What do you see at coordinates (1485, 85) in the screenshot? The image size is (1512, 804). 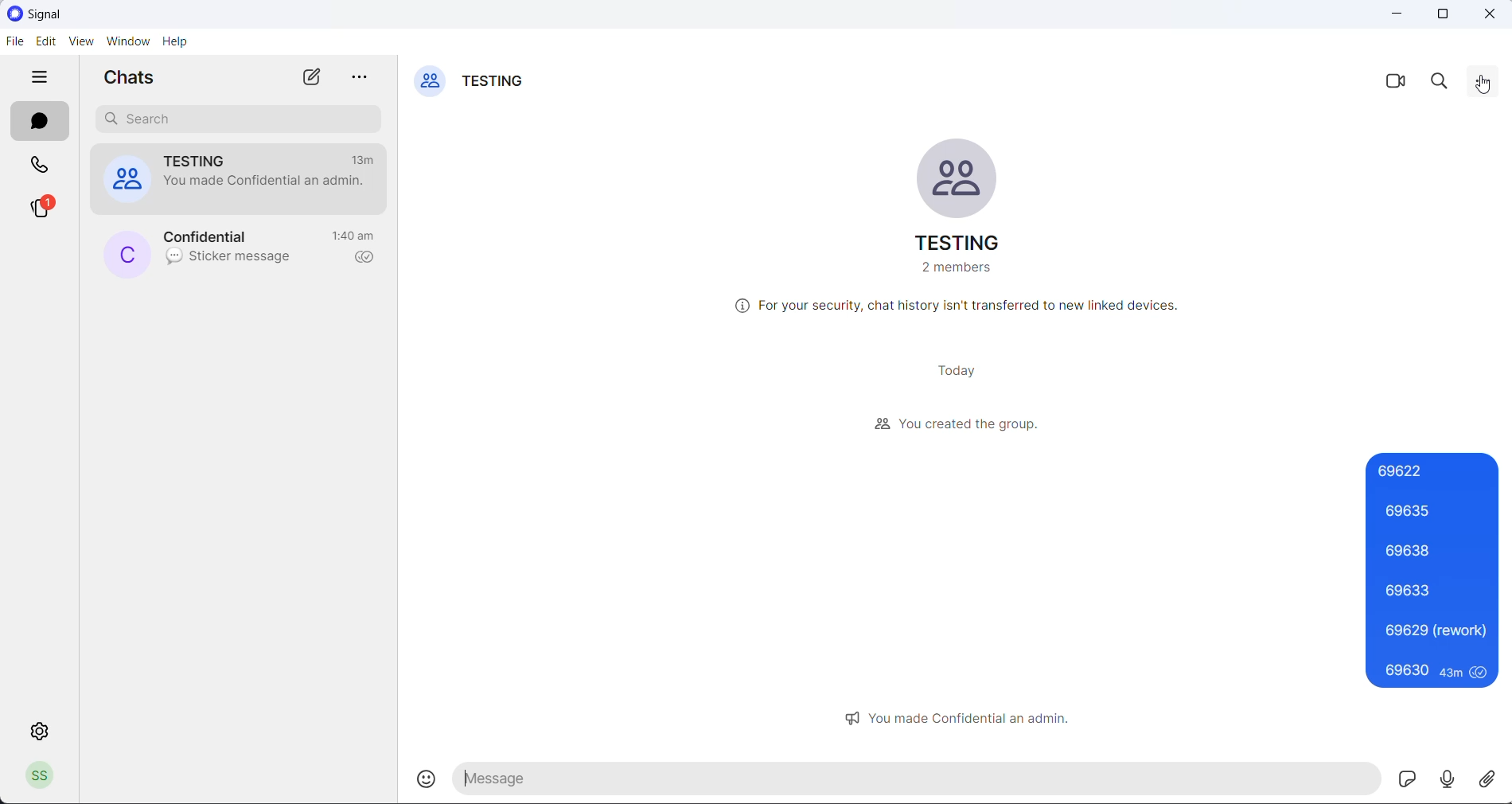 I see `more options` at bounding box center [1485, 85].